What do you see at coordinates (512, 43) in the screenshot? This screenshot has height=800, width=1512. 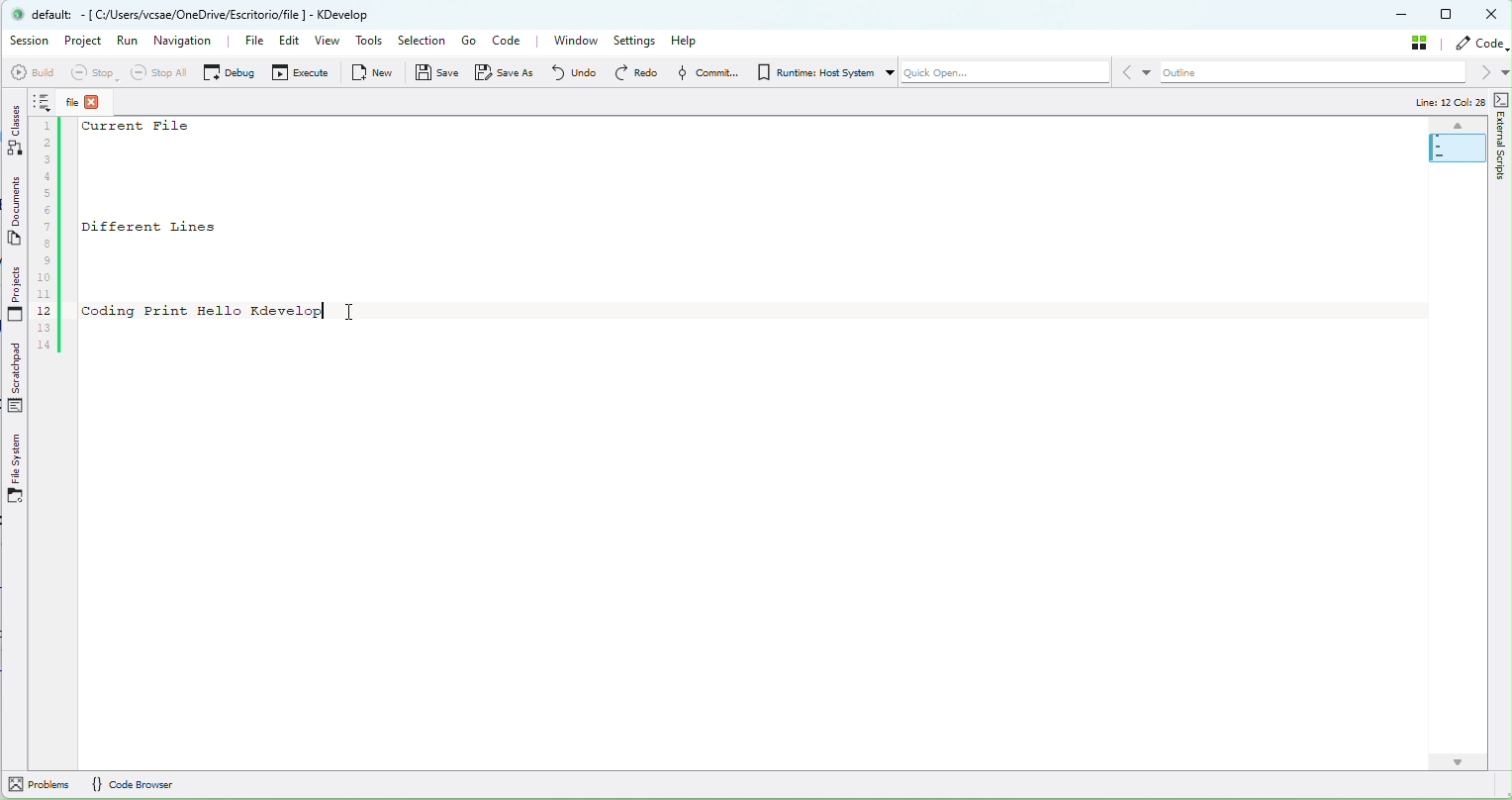 I see `Code` at bounding box center [512, 43].